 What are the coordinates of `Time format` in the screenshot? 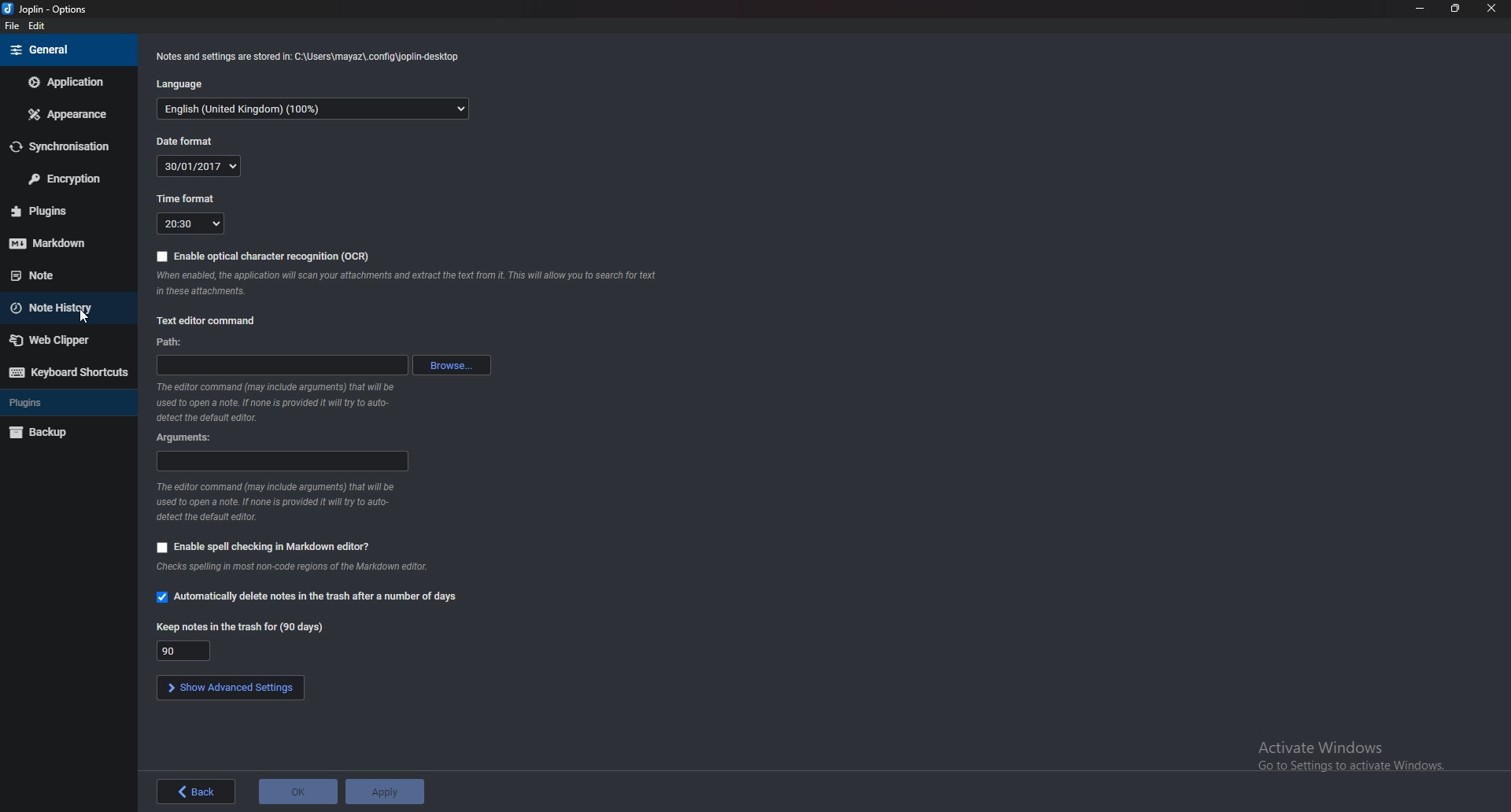 It's located at (190, 224).